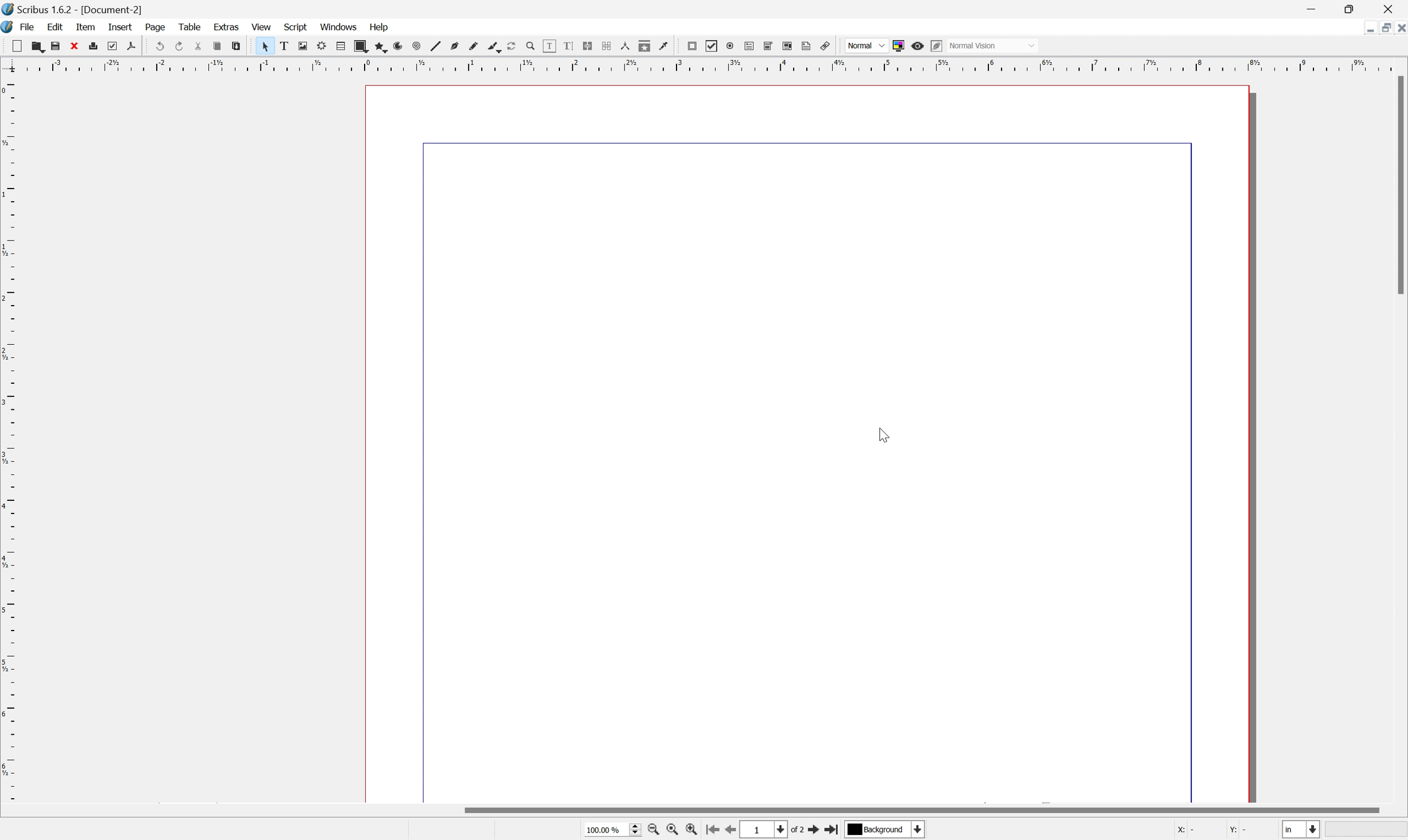  Describe the element at coordinates (700, 64) in the screenshot. I see `Ruler` at that location.